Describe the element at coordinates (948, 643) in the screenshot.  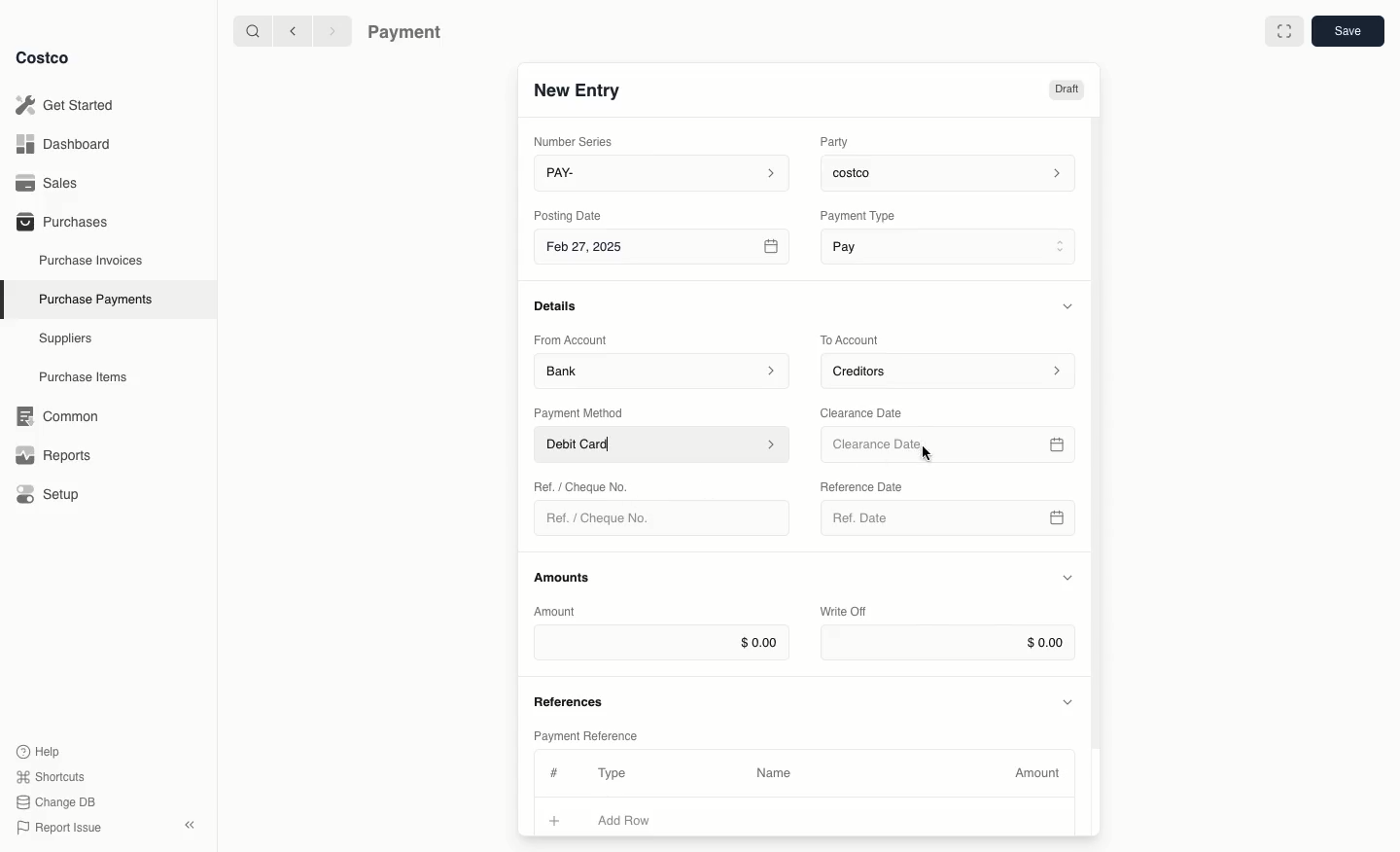
I see `$0.00` at that location.